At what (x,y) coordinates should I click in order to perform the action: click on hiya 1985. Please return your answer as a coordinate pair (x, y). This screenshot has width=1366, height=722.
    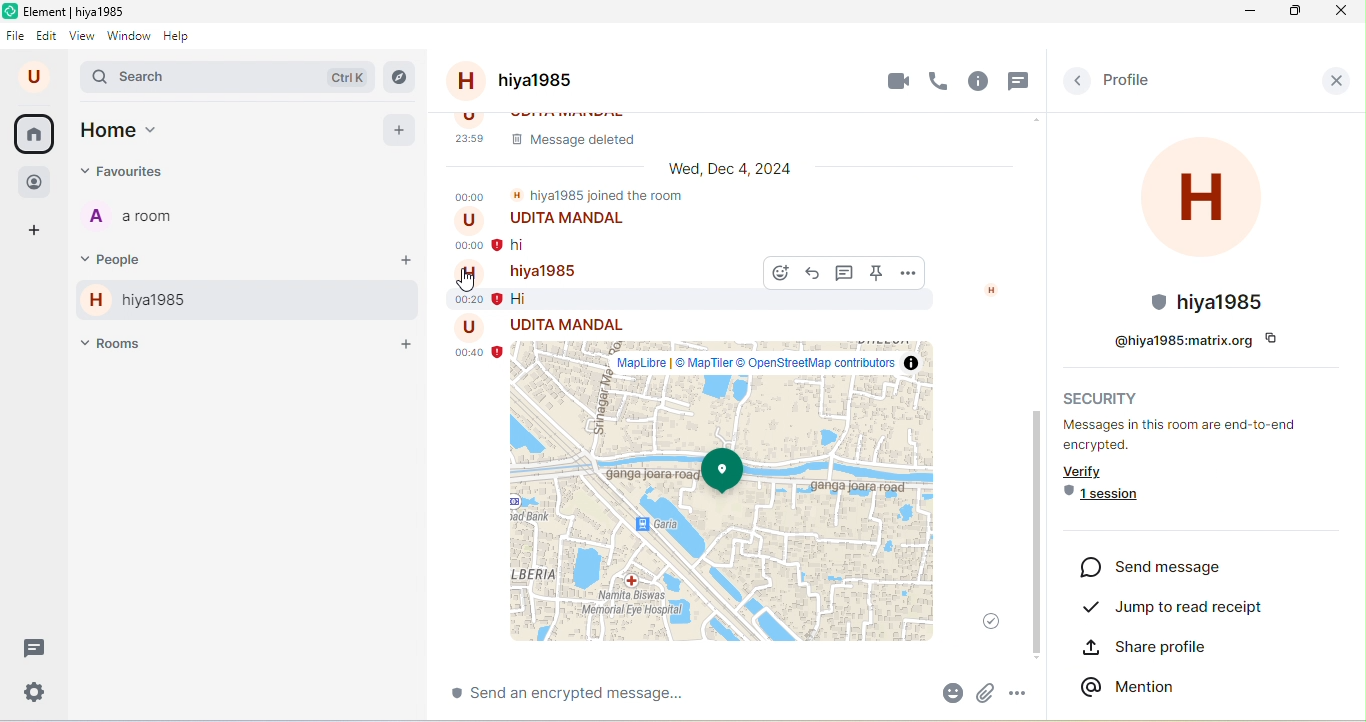
    Looking at the image, I should click on (534, 82).